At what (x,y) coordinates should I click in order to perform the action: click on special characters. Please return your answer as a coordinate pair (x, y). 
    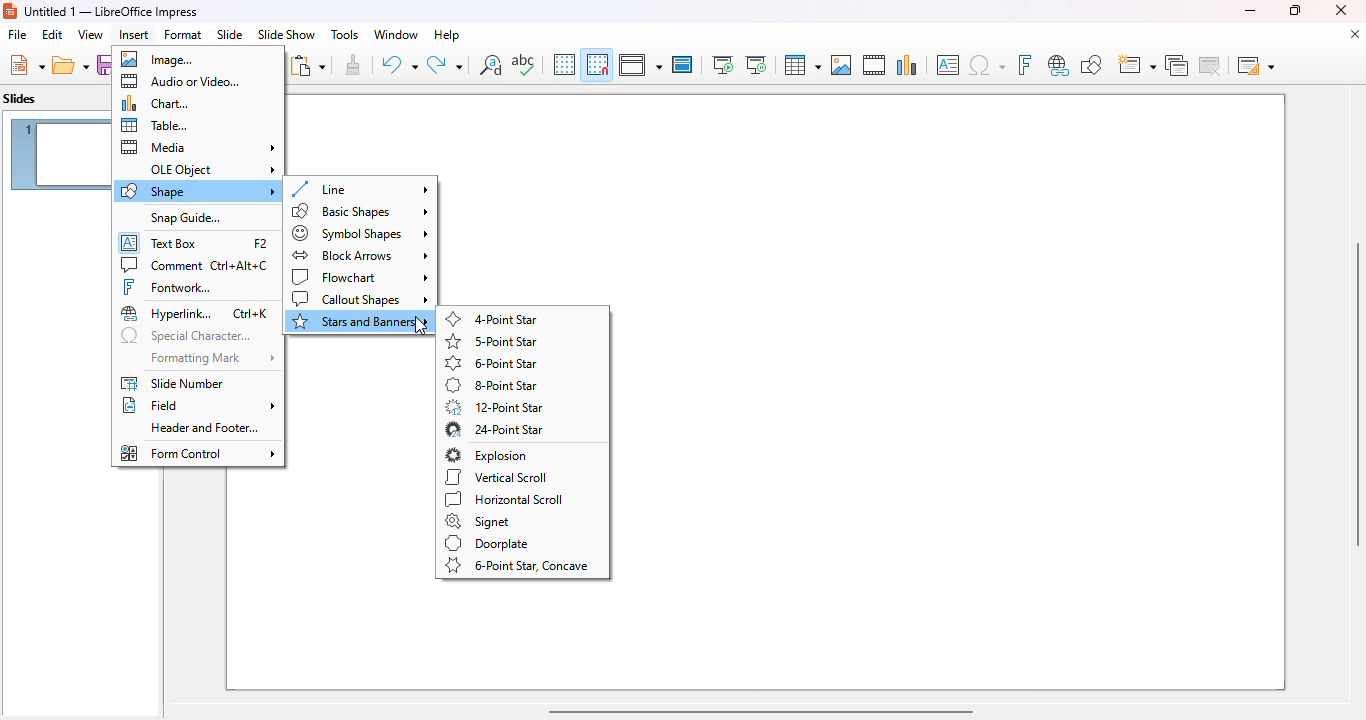
    Looking at the image, I should click on (186, 337).